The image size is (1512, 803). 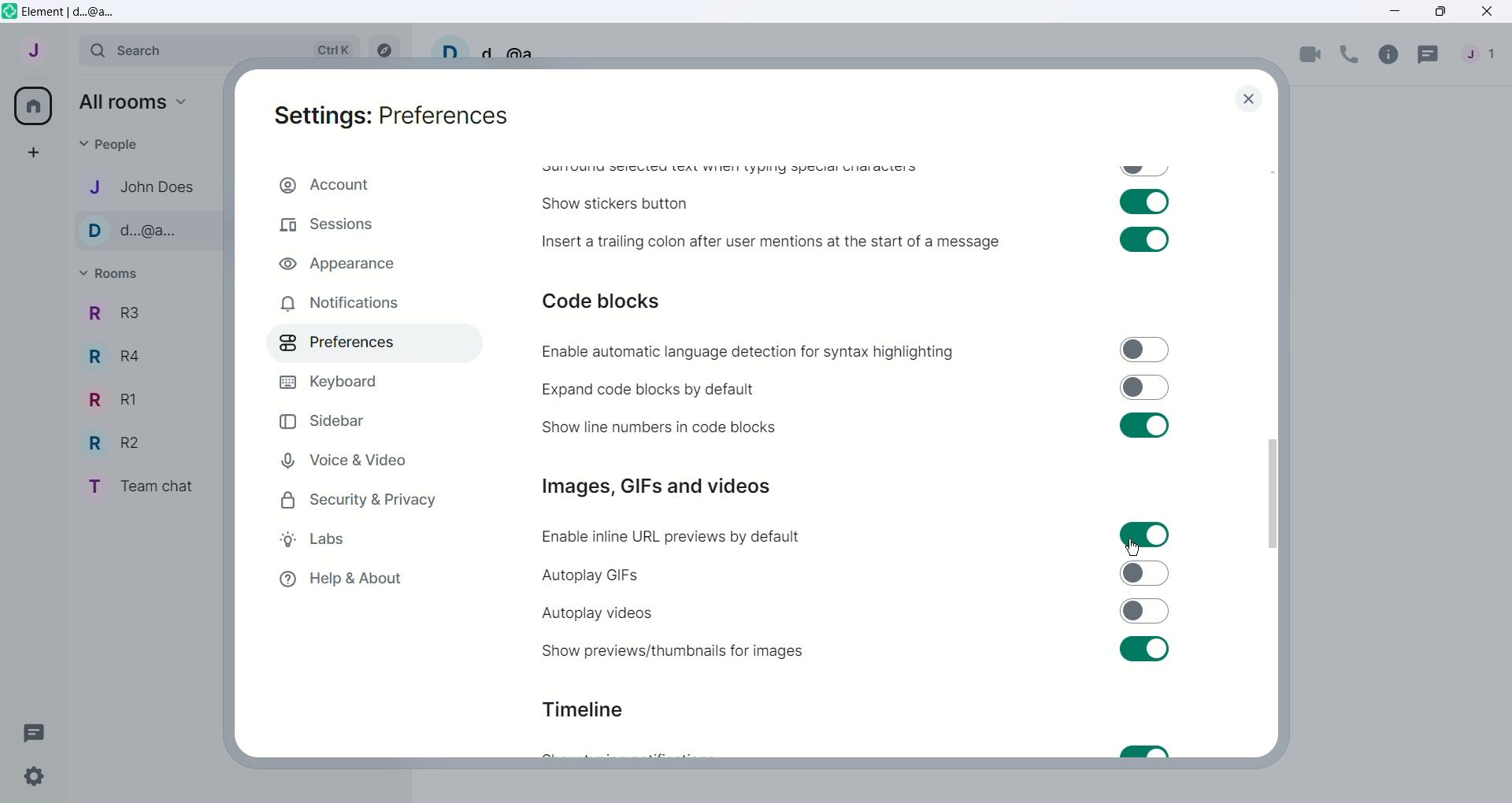 What do you see at coordinates (347, 578) in the screenshot?
I see `Help and About` at bounding box center [347, 578].